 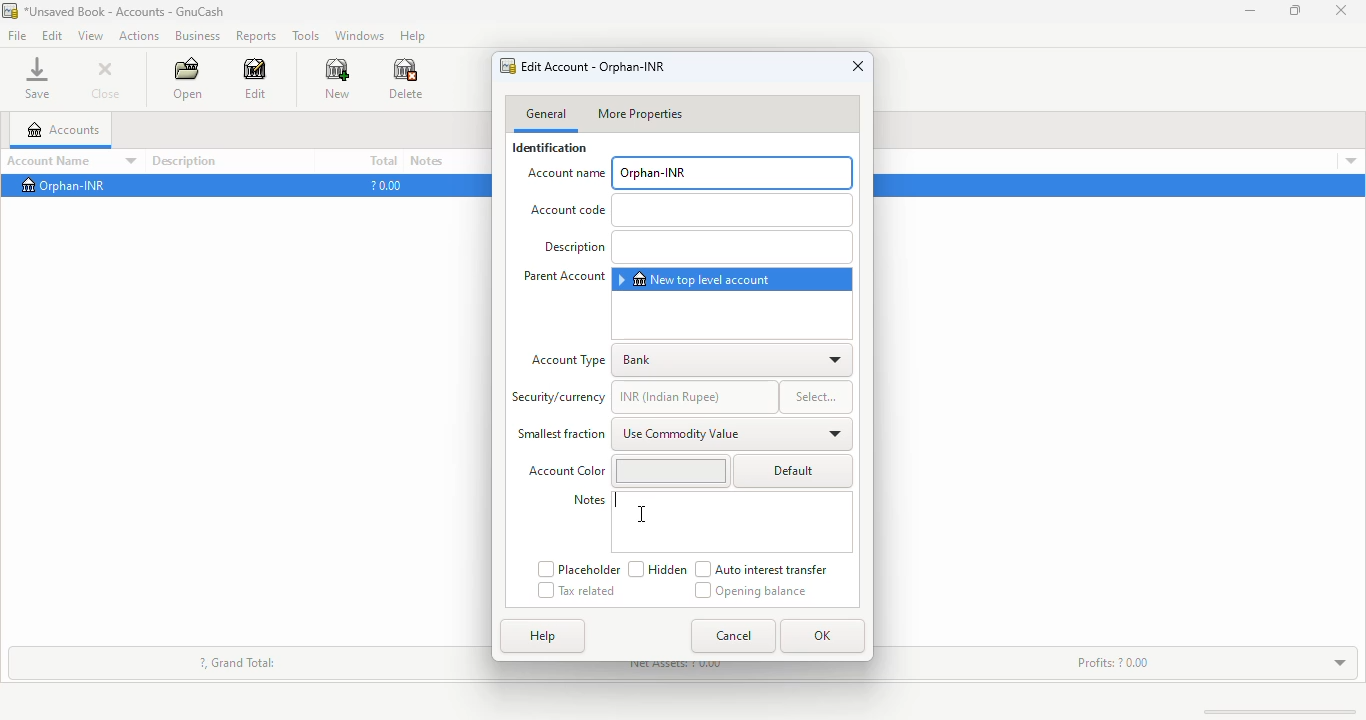 I want to click on maximize, so click(x=1296, y=11).